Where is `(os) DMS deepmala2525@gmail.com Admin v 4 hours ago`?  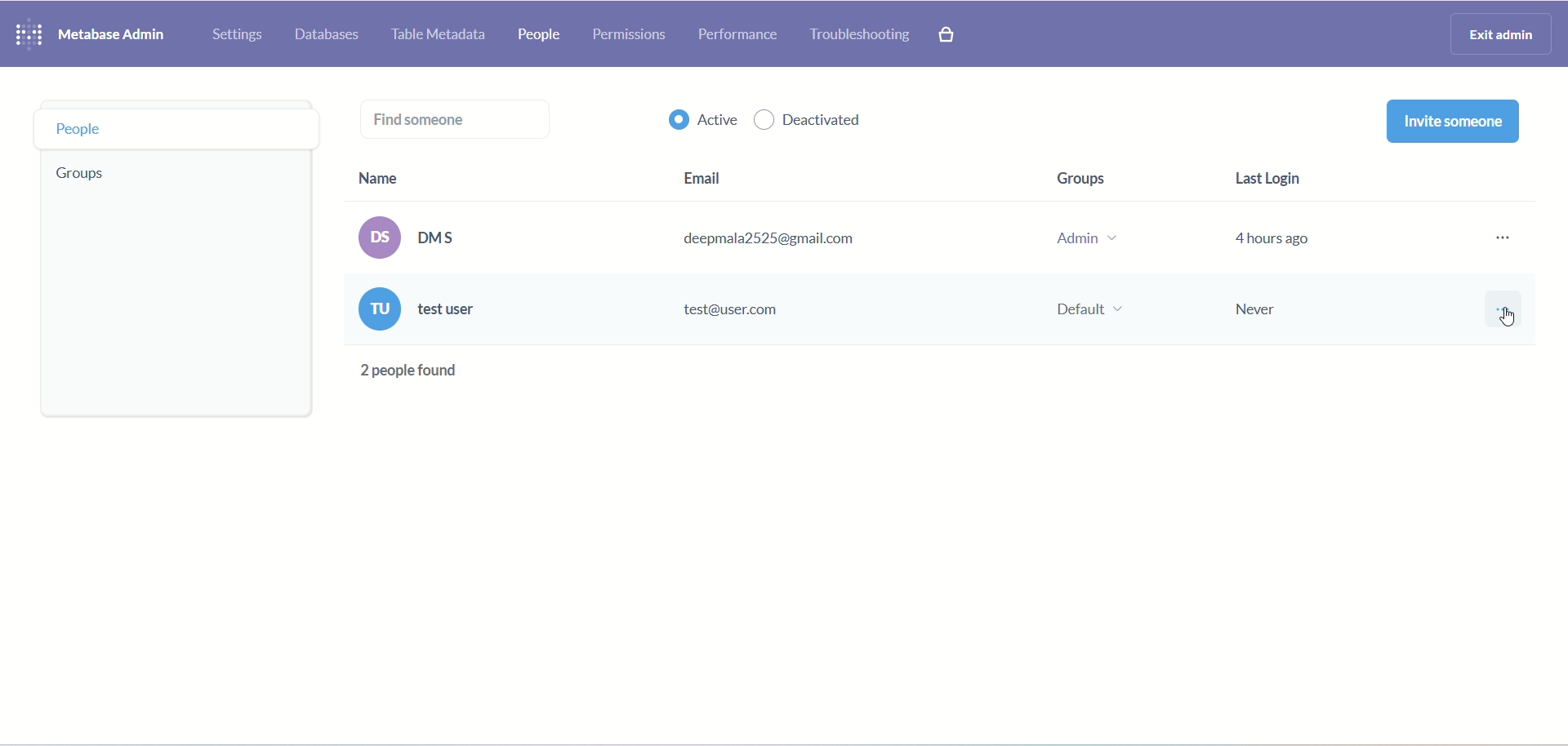 (os) DMS deepmala2525@gmail.com Admin v 4 hours ago is located at coordinates (835, 238).